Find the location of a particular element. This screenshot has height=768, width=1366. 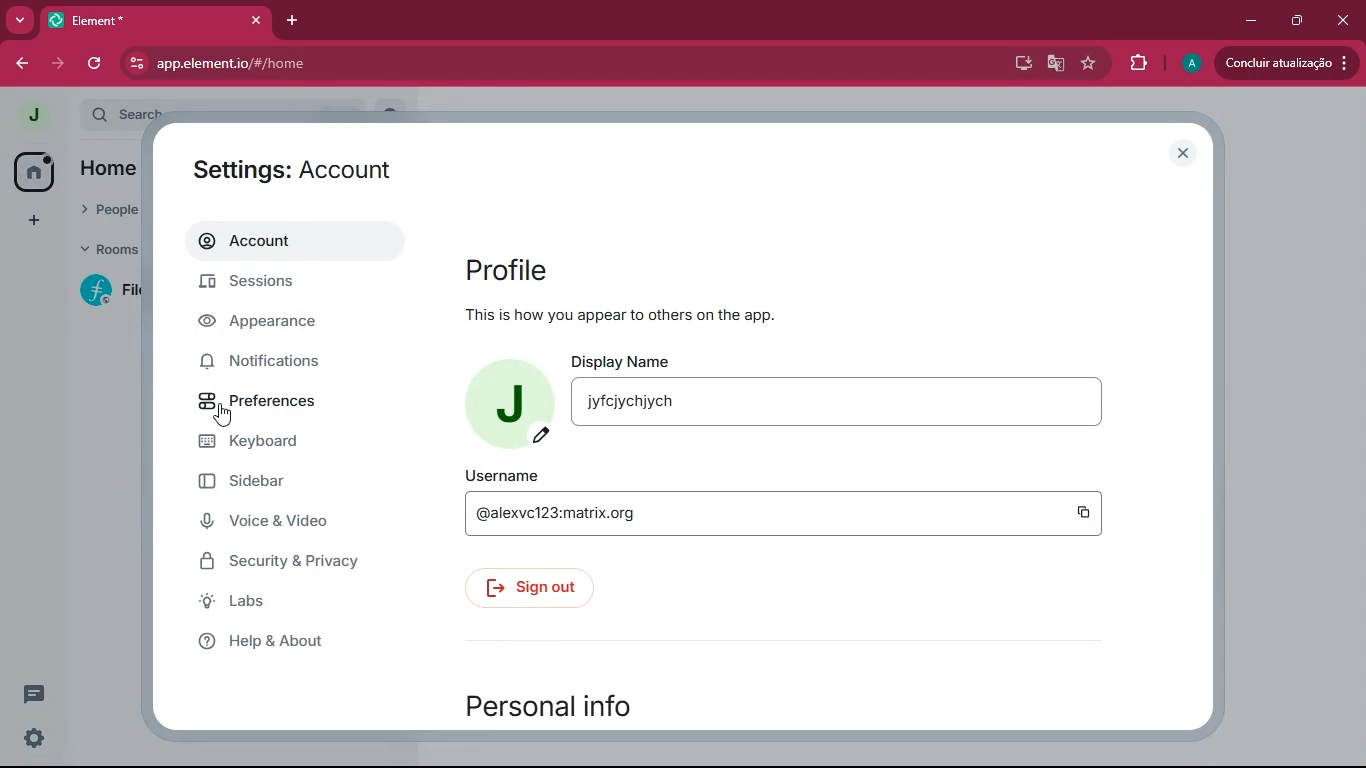

extensions is located at coordinates (1141, 65).